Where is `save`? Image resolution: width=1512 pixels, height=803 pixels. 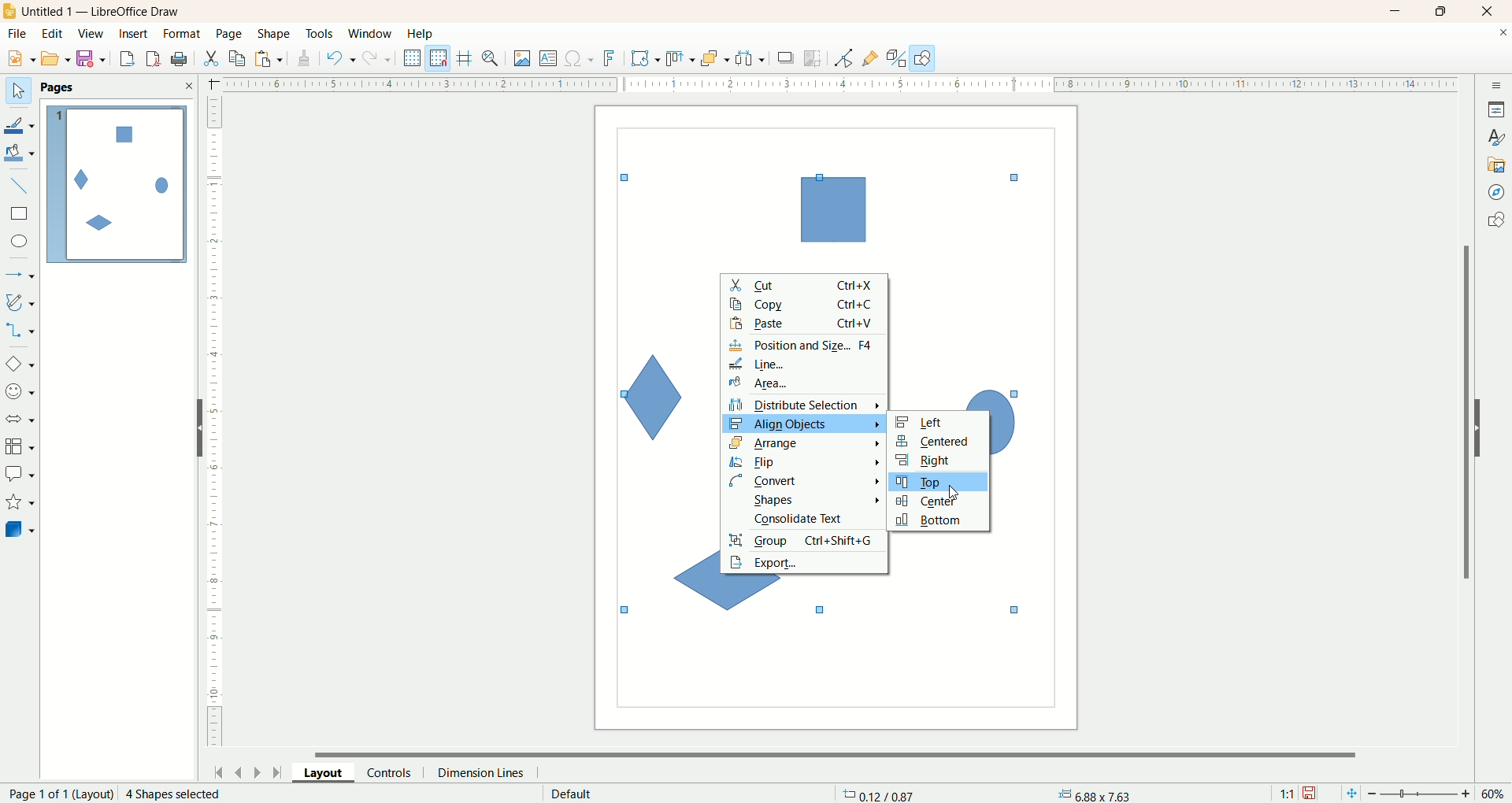
save is located at coordinates (94, 59).